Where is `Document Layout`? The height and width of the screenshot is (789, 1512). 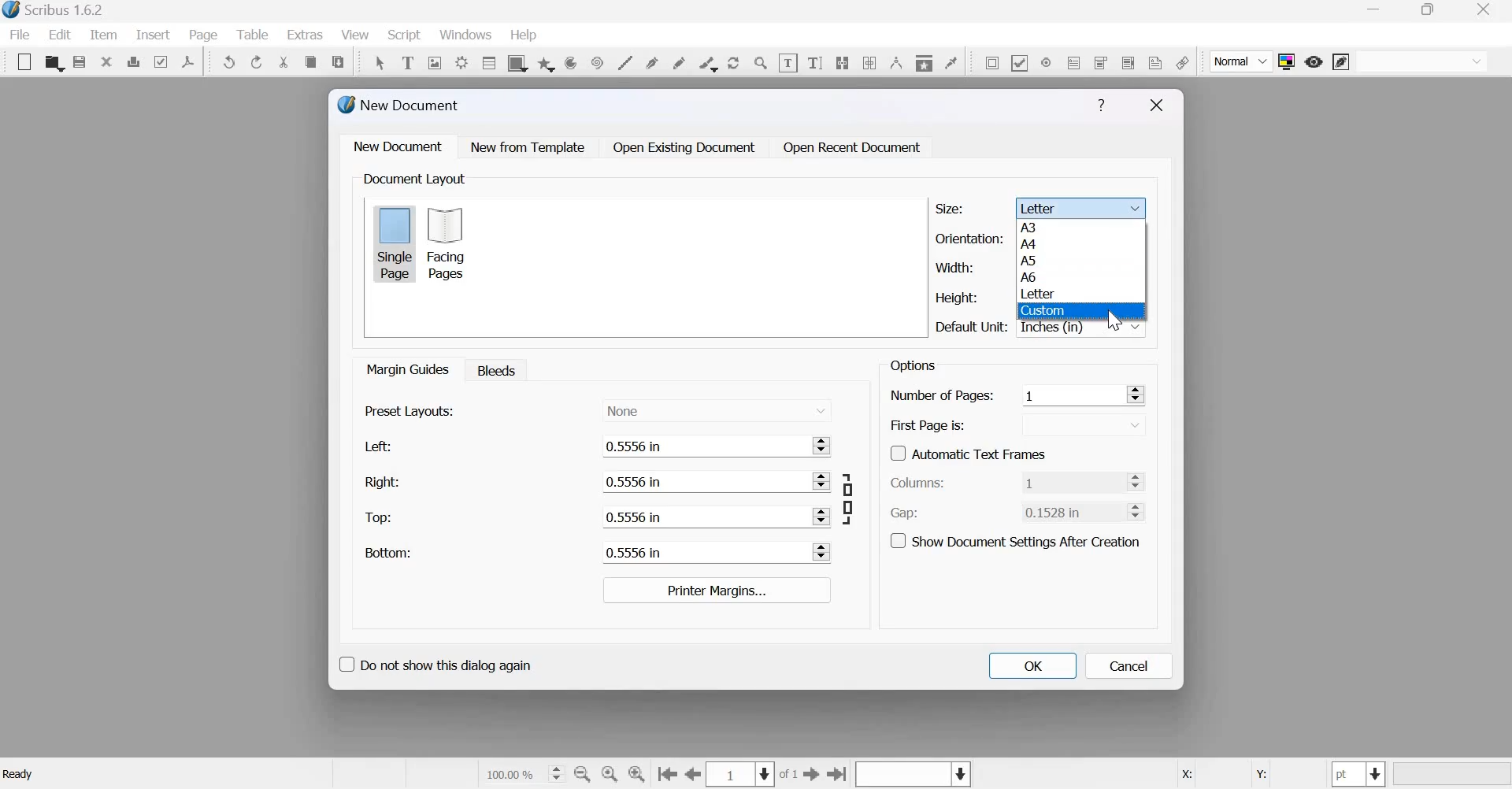
Document Layout is located at coordinates (413, 179).